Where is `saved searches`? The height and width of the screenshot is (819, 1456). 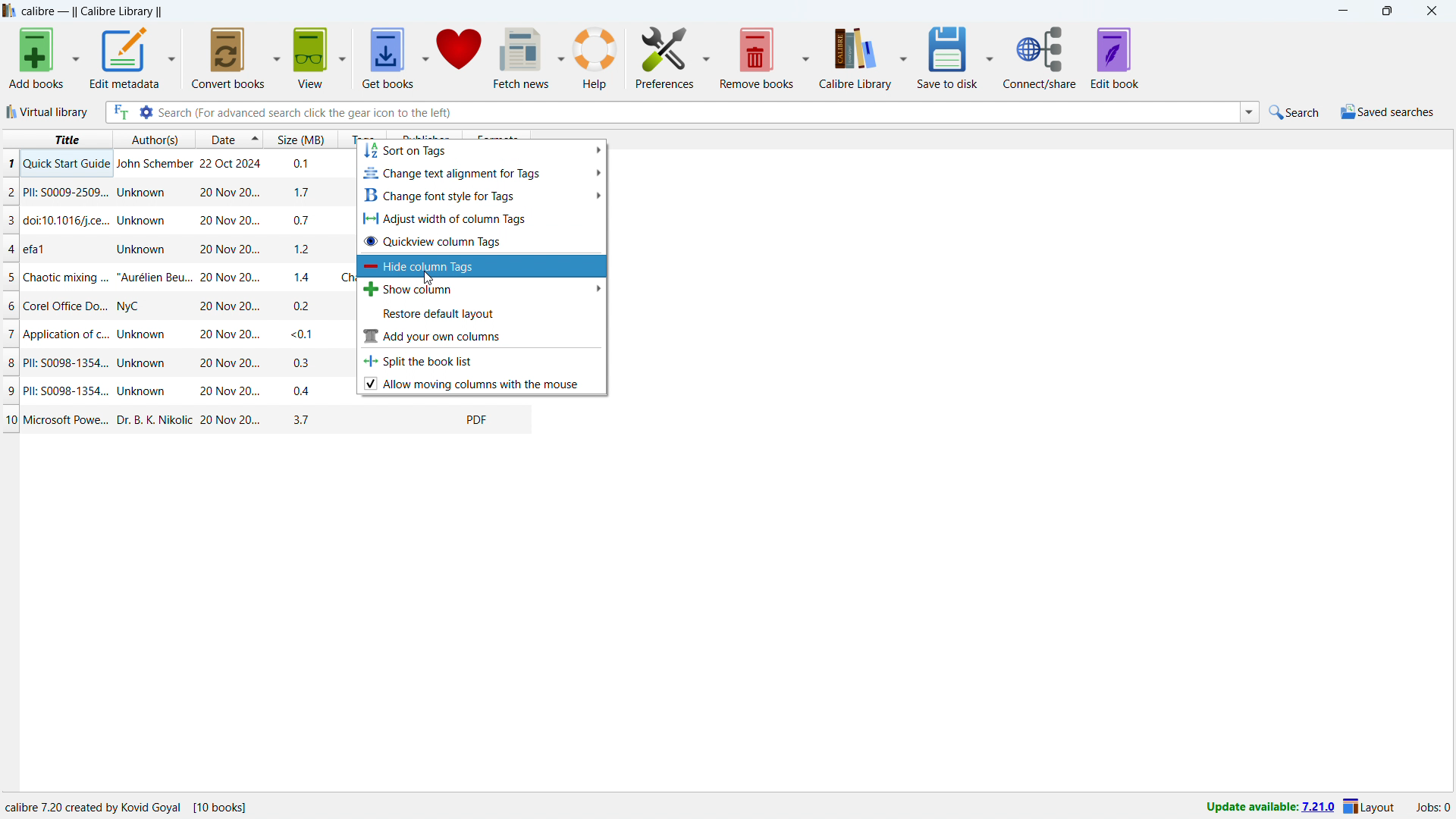 saved searches is located at coordinates (1387, 112).